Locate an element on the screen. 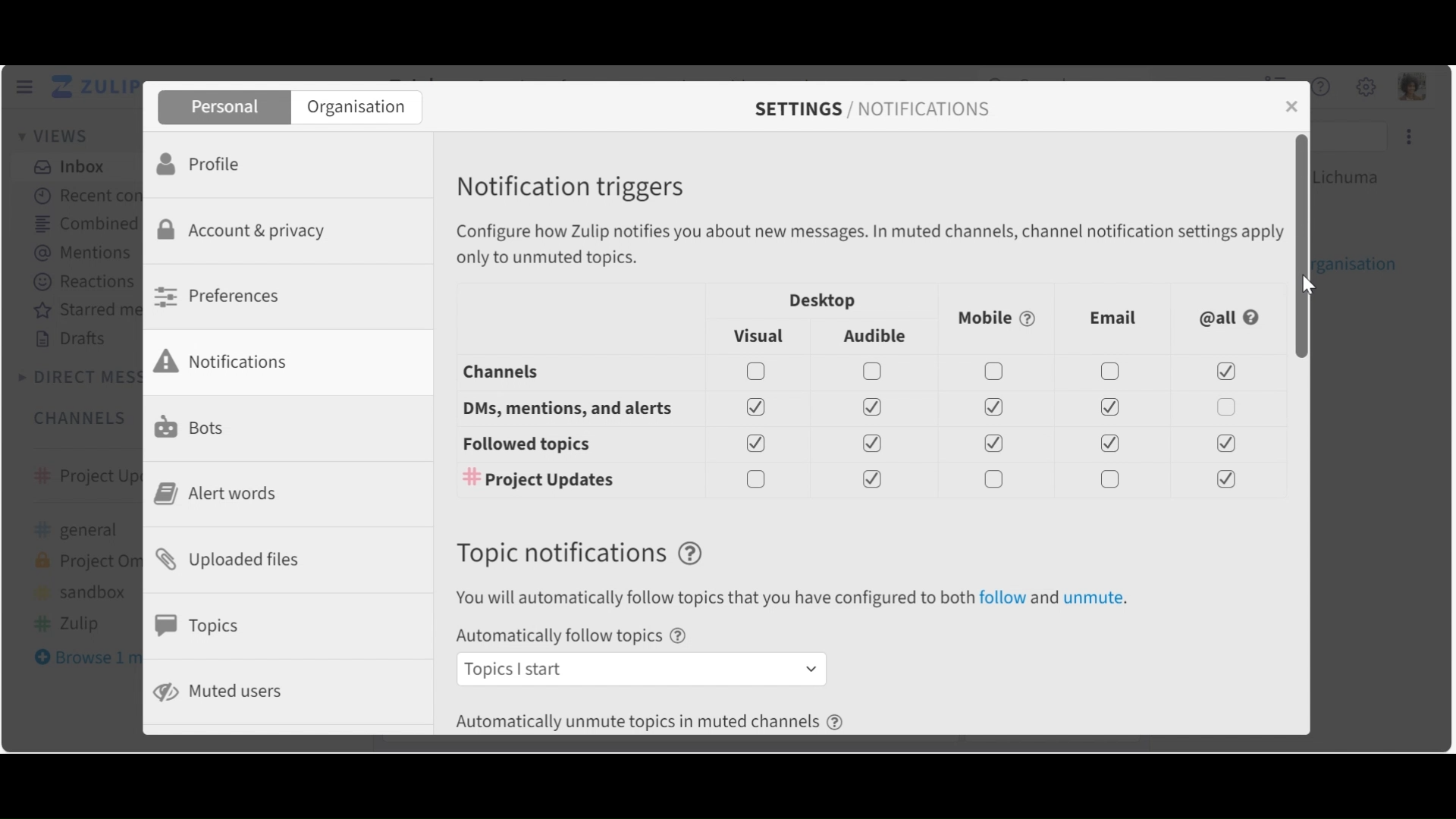 The width and height of the screenshot is (1456, 819). Channel is located at coordinates (856, 372).